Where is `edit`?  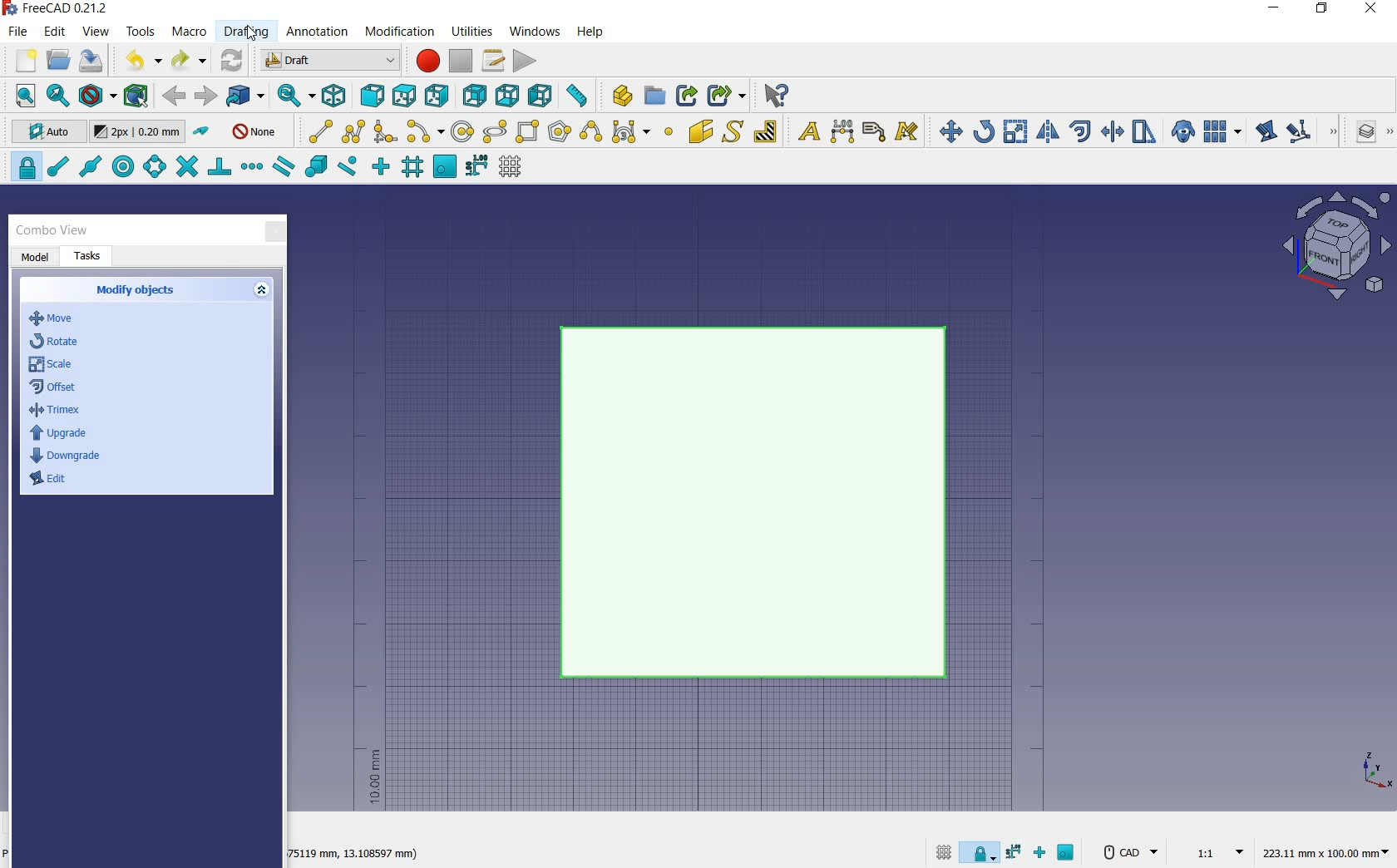 edit is located at coordinates (1265, 133).